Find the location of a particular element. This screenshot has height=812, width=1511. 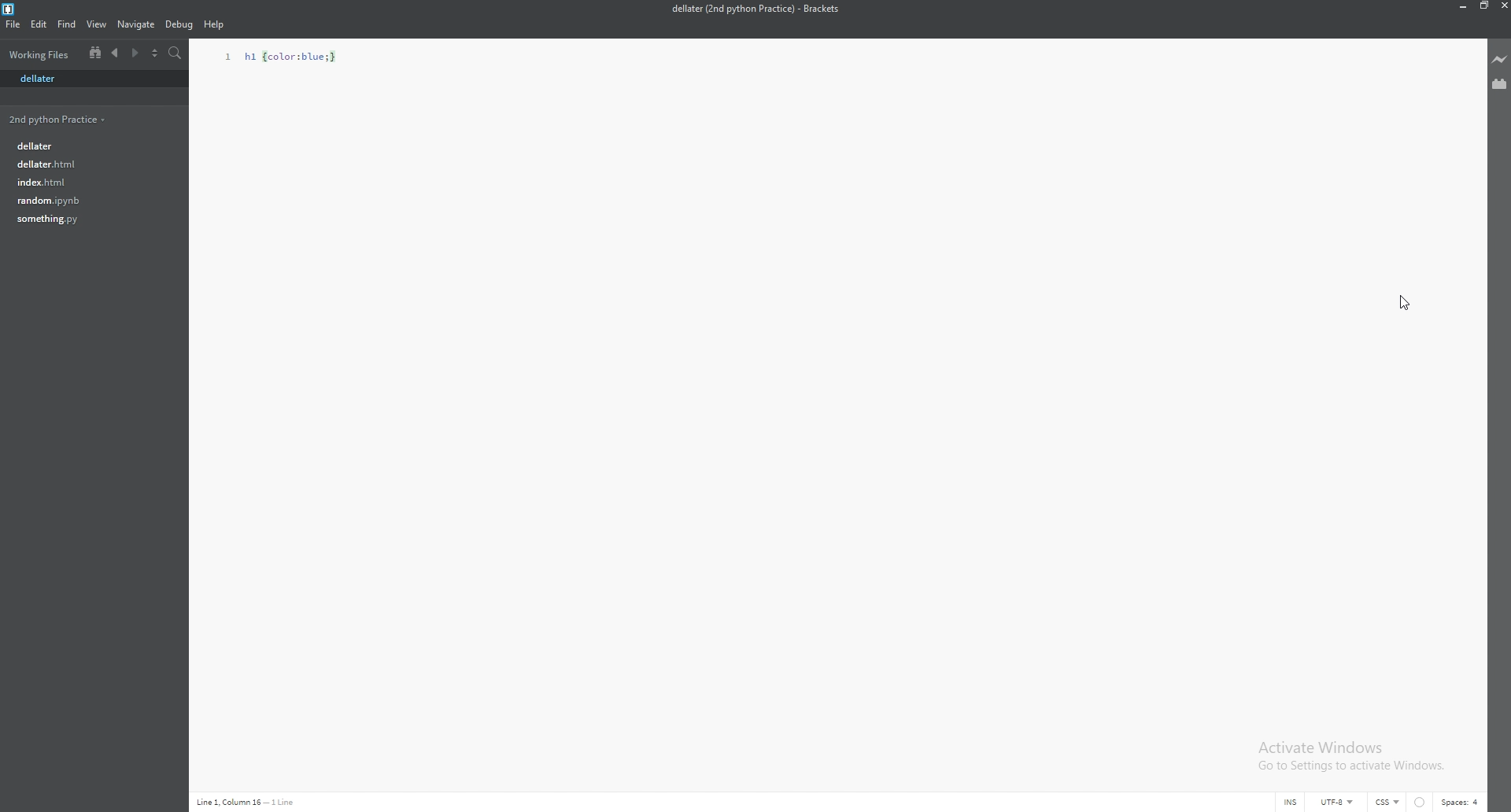

view is located at coordinates (98, 24).